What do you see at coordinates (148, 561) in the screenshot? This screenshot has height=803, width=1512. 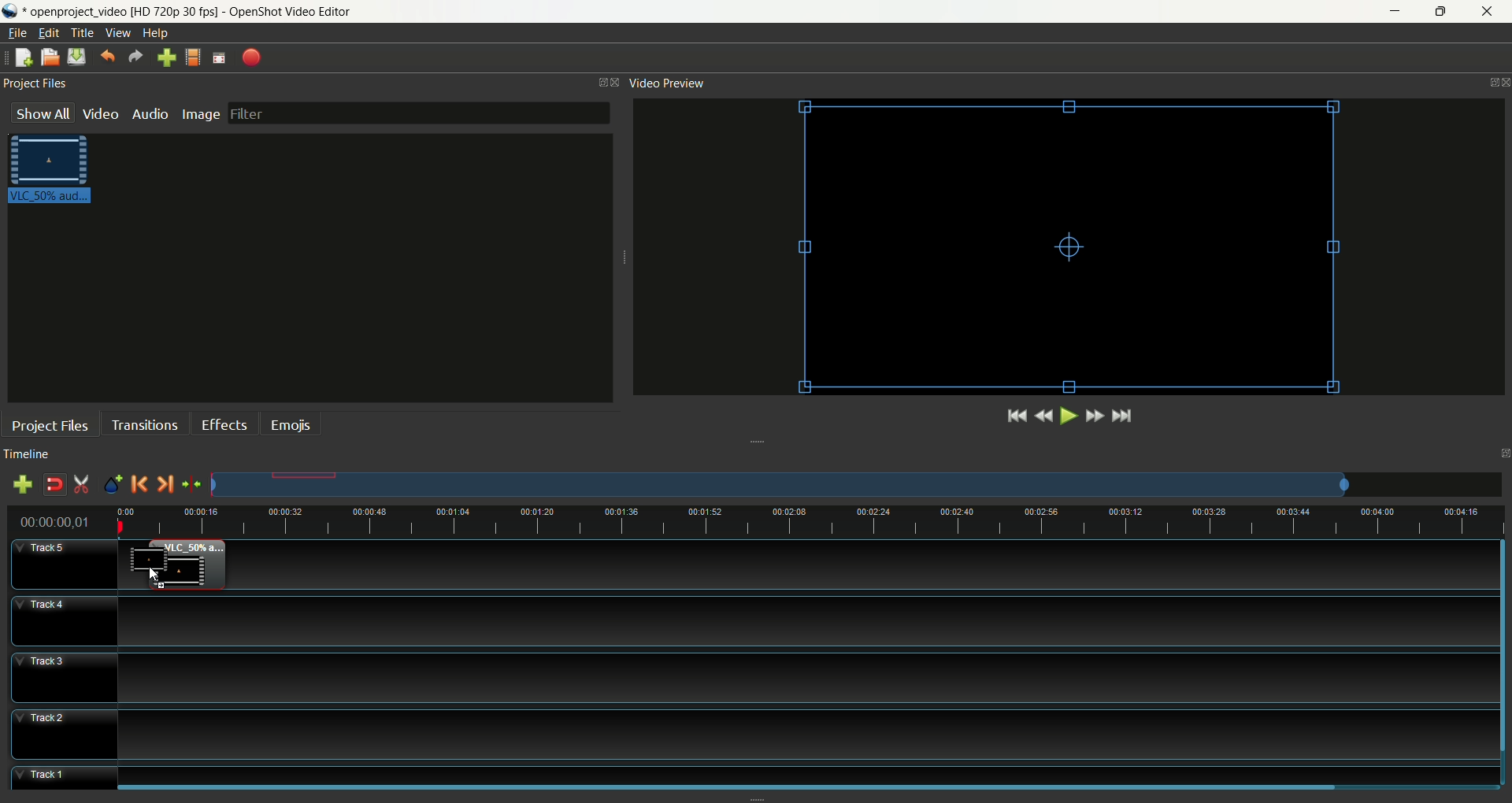 I see `video clip` at bounding box center [148, 561].